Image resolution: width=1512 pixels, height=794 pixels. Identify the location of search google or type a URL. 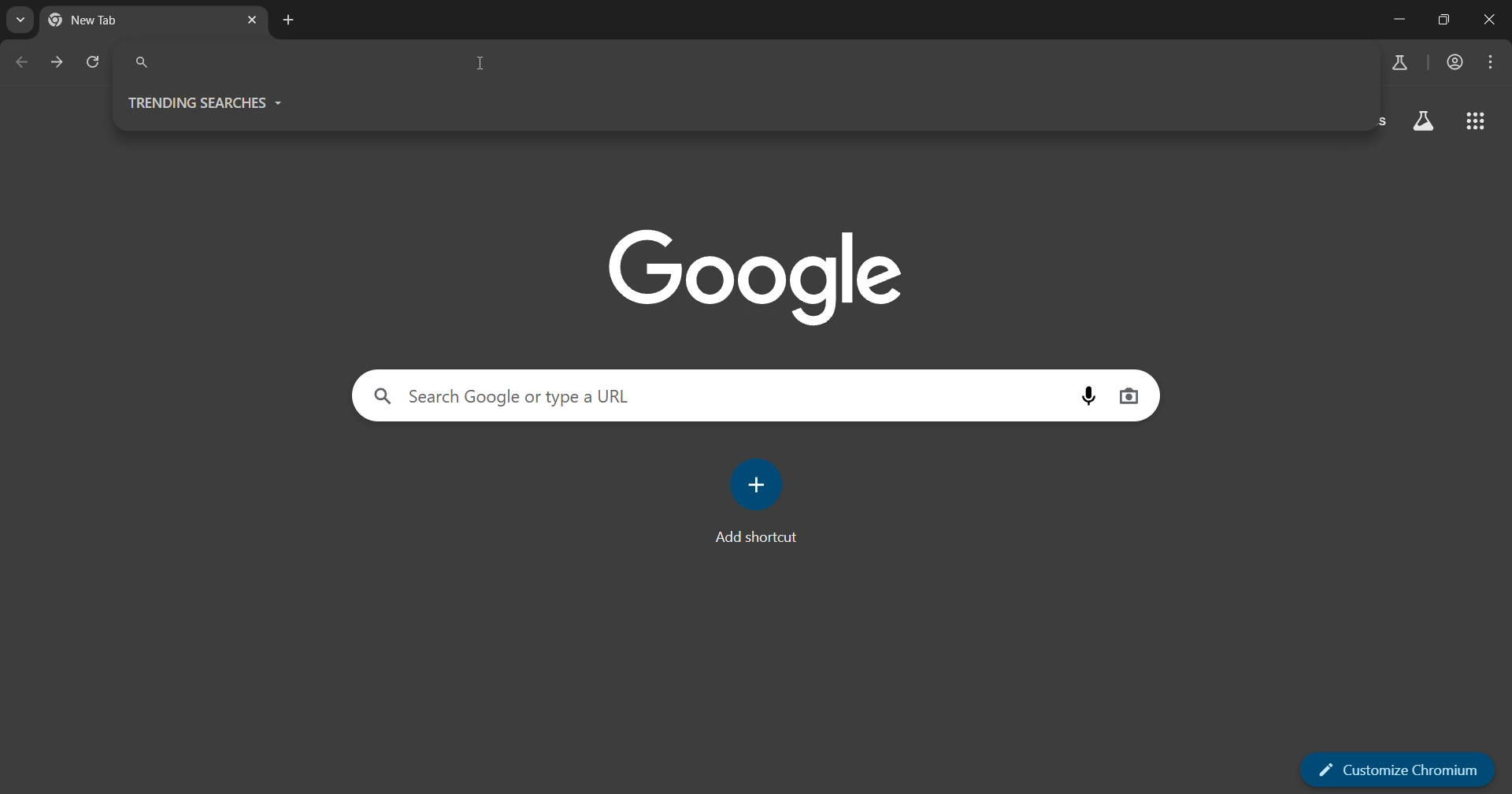
(712, 395).